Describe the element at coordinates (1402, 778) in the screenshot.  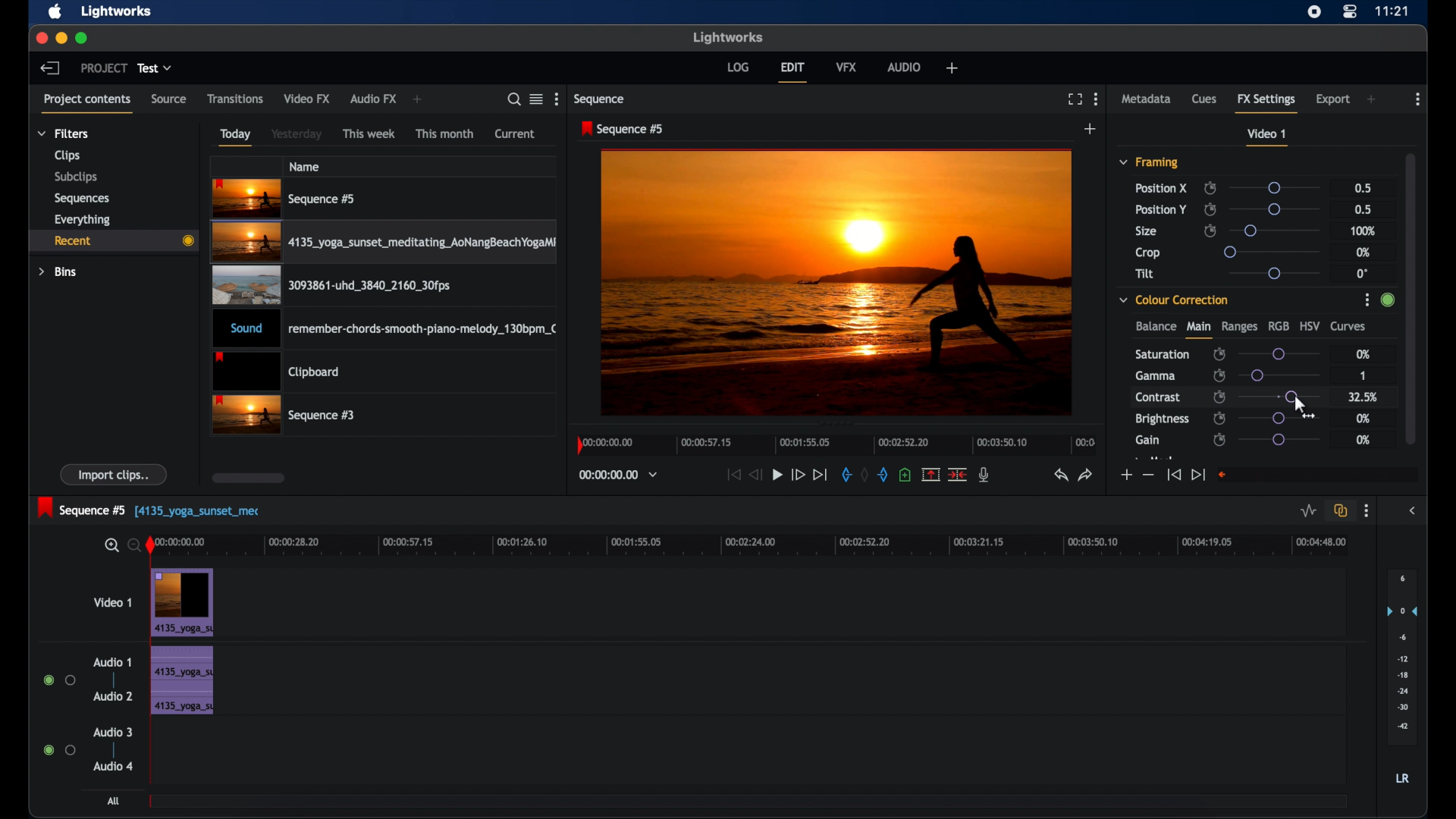
I see `lr` at that location.